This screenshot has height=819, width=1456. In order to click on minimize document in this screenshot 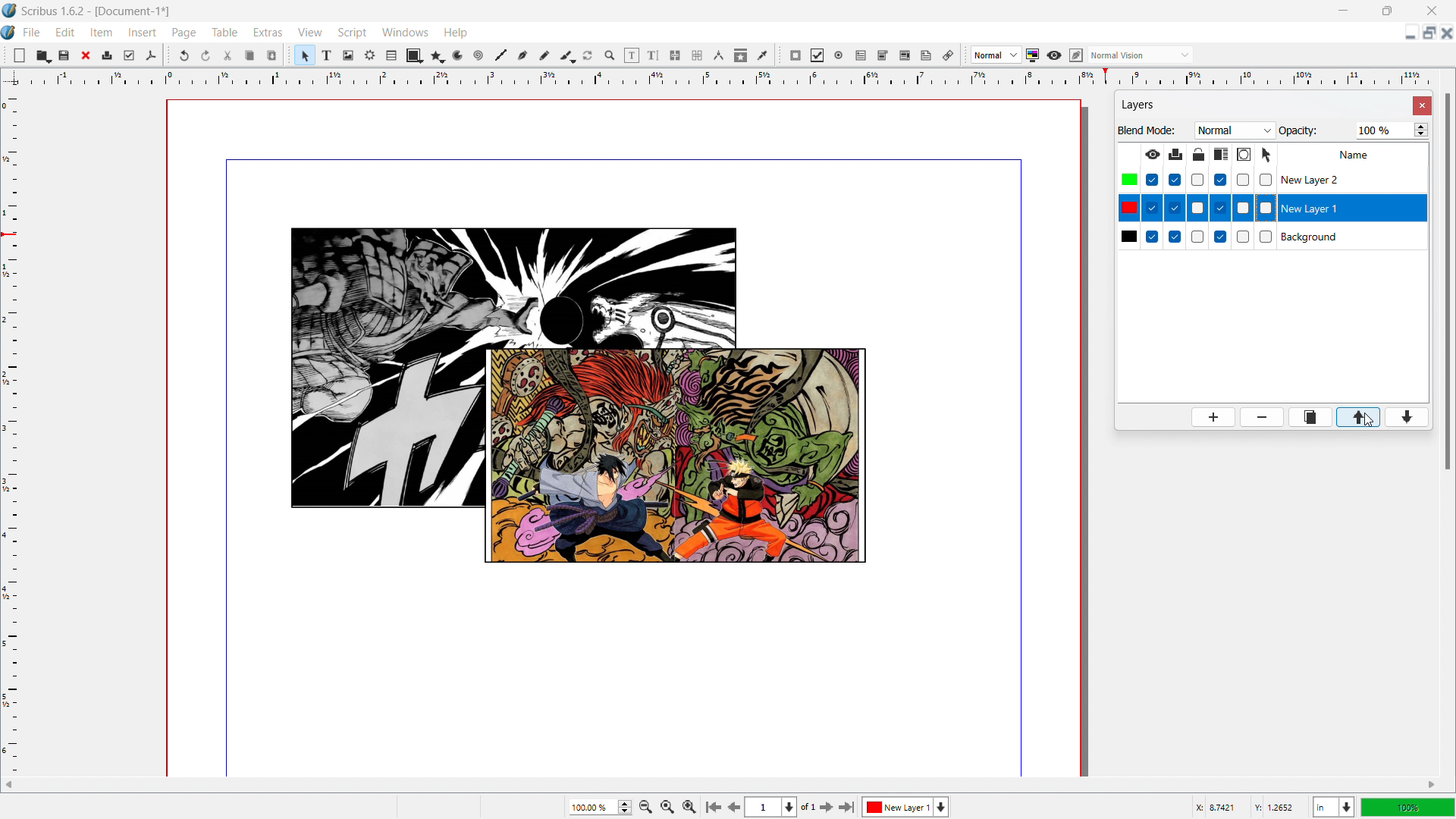, I will do `click(1407, 33)`.